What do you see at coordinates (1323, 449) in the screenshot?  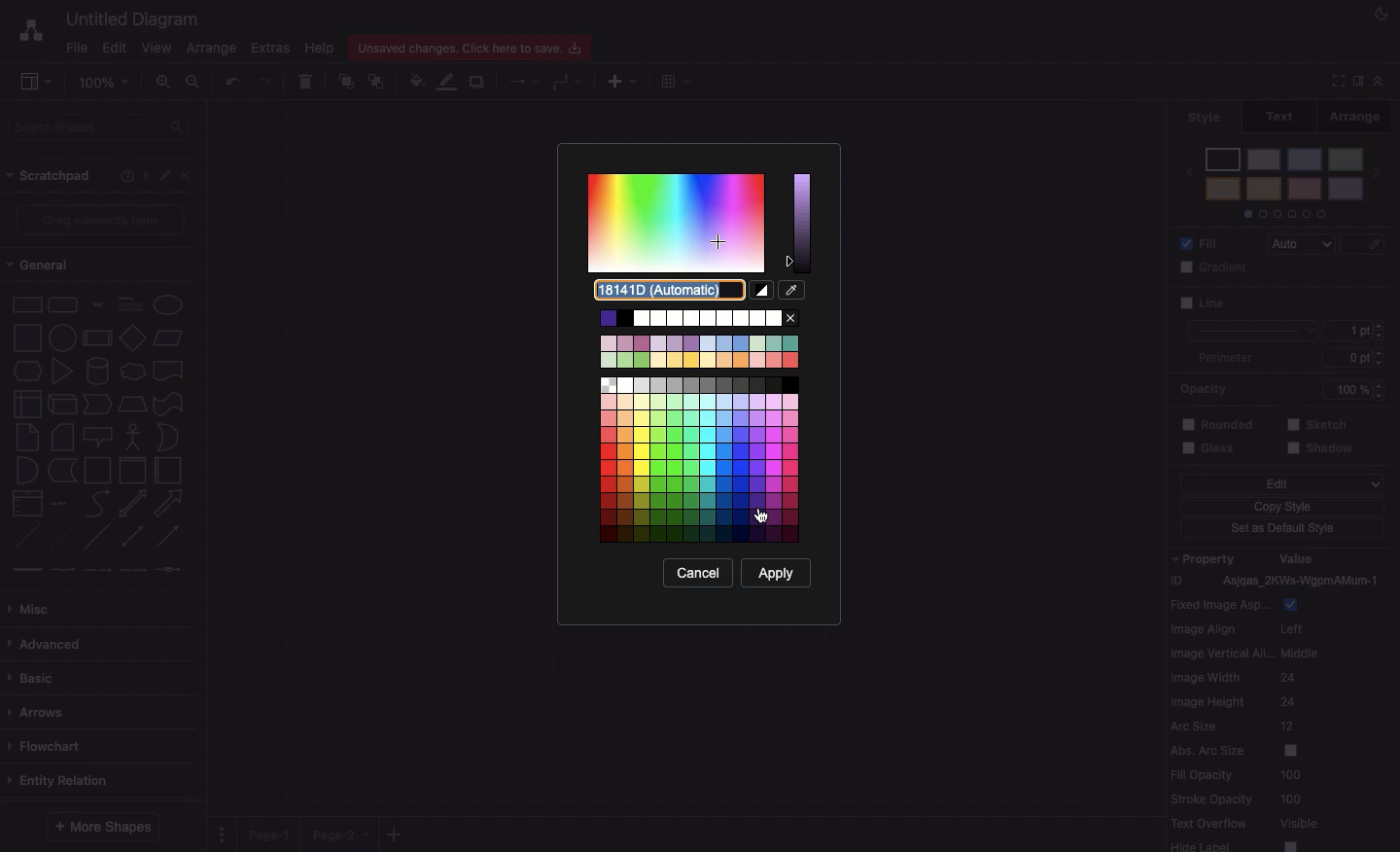 I see `shadow` at bounding box center [1323, 449].